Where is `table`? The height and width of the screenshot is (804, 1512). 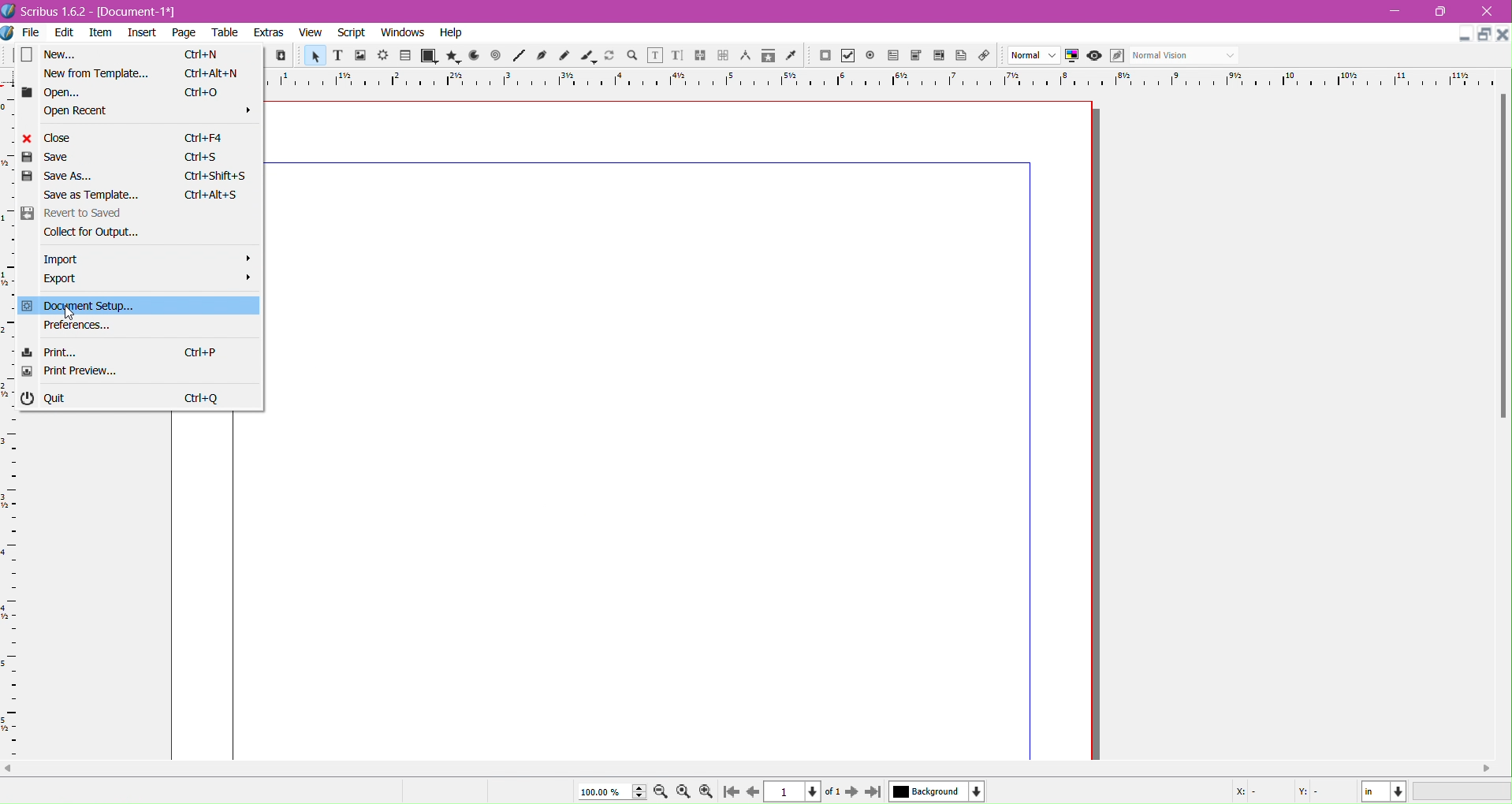 table is located at coordinates (405, 56).